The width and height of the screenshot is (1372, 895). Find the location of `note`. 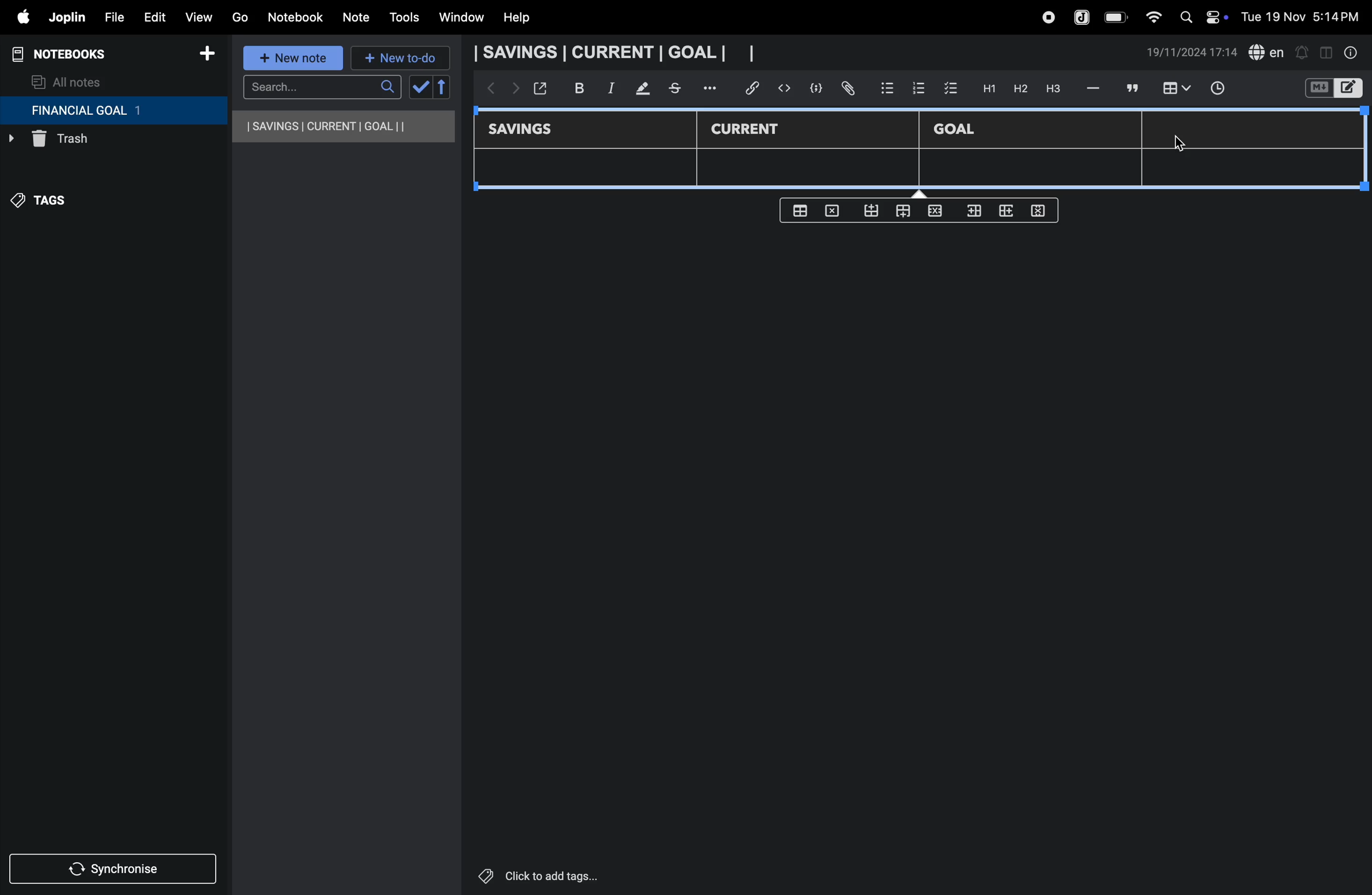

note is located at coordinates (358, 18).